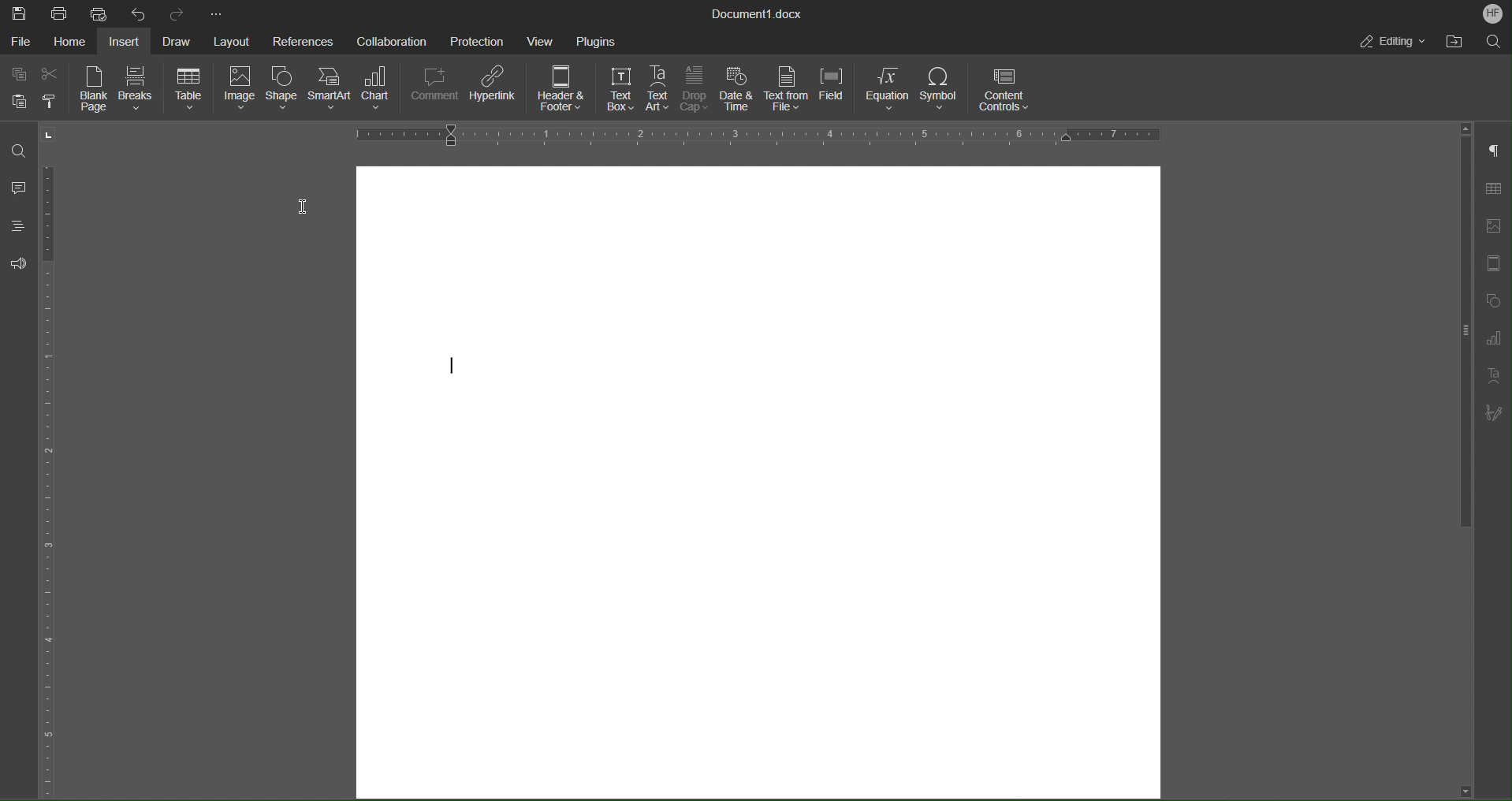 Image resolution: width=1512 pixels, height=801 pixels. What do you see at coordinates (93, 89) in the screenshot?
I see `Blank Page` at bounding box center [93, 89].